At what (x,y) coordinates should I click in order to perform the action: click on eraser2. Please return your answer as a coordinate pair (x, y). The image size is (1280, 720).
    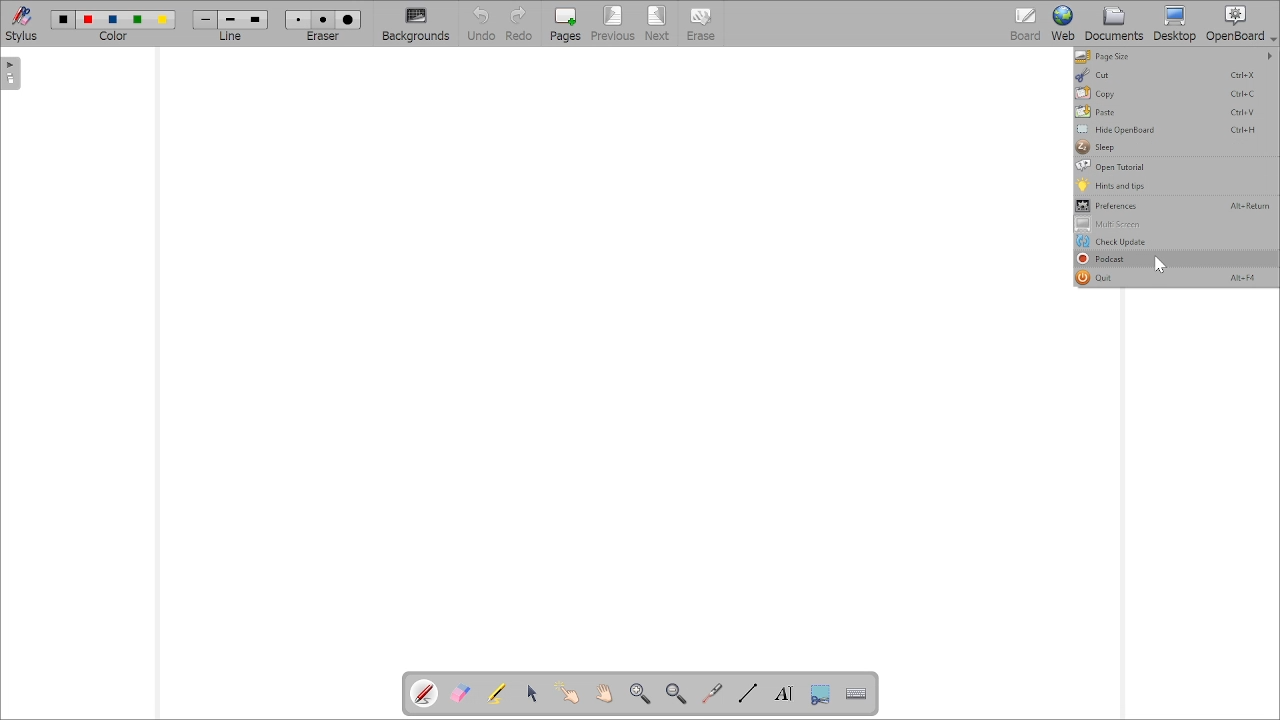
    Looking at the image, I should click on (325, 19).